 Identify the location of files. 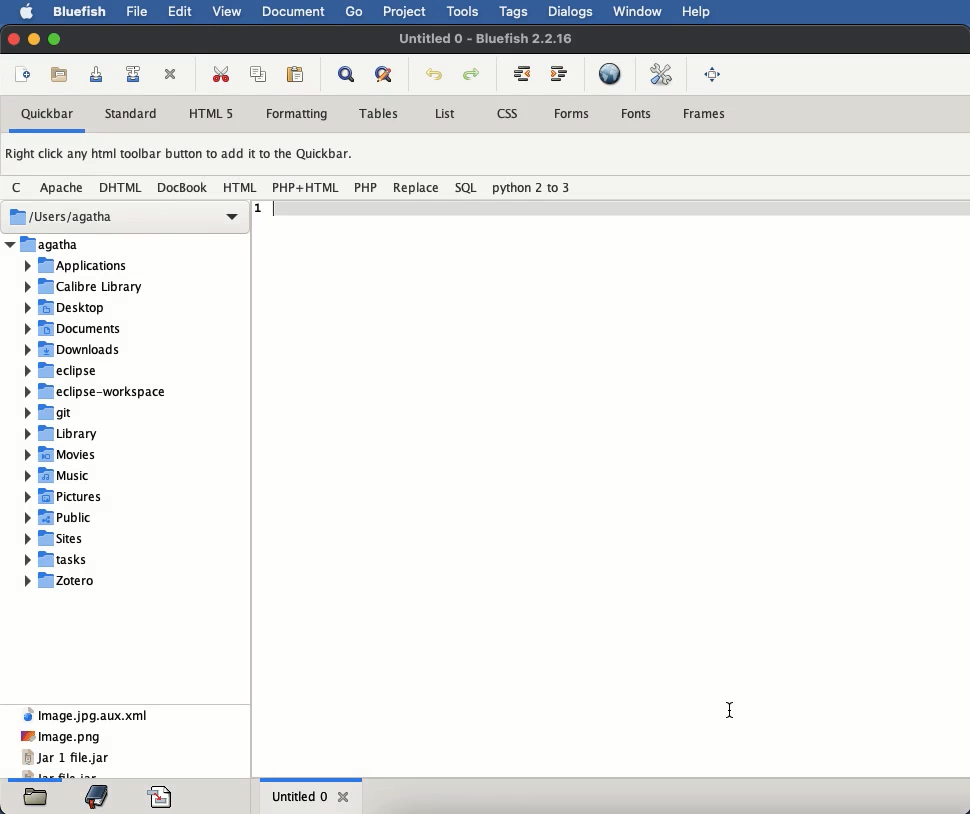
(36, 797).